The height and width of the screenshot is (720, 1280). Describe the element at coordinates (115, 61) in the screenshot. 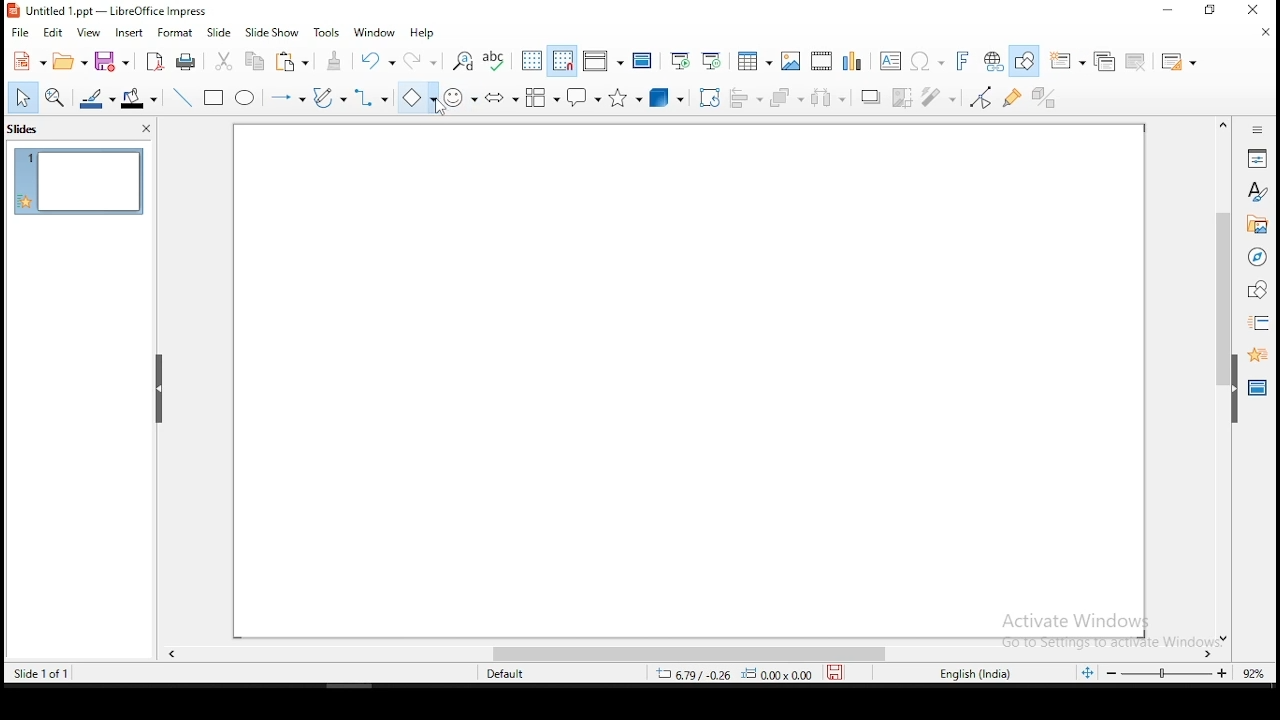

I see `save` at that location.